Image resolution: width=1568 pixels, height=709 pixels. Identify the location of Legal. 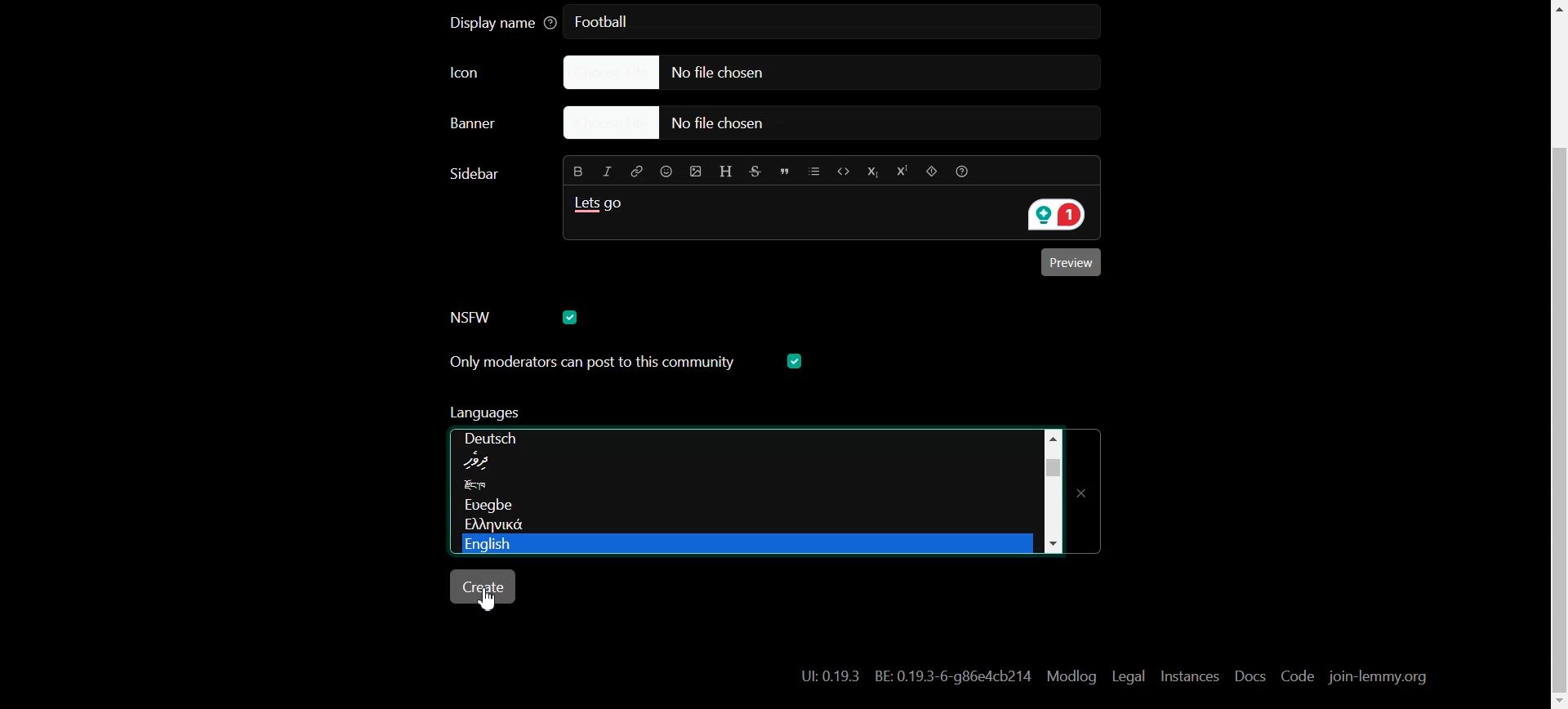
(1129, 676).